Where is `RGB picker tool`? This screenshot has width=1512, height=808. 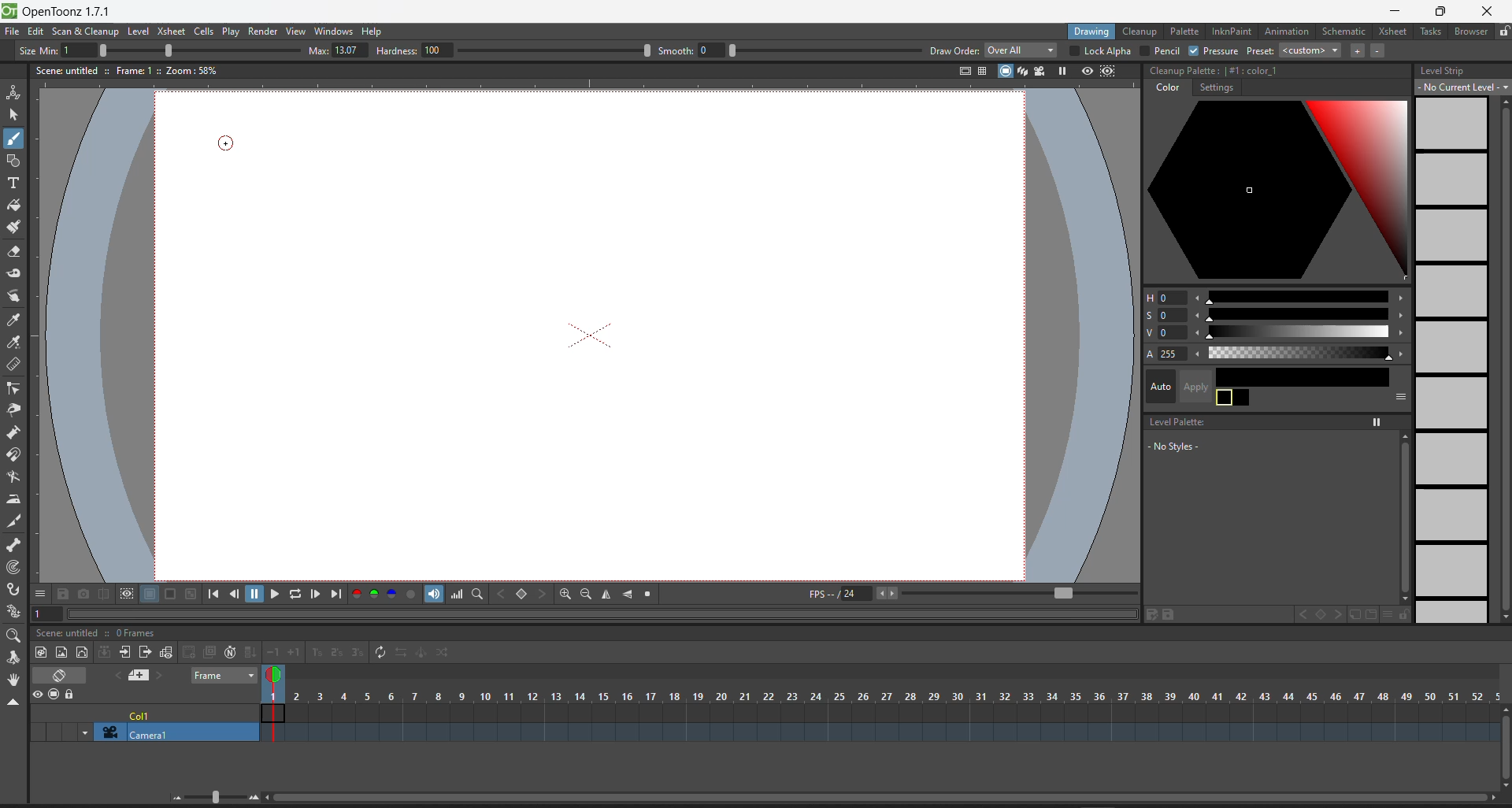
RGB picker tool is located at coordinates (17, 343).